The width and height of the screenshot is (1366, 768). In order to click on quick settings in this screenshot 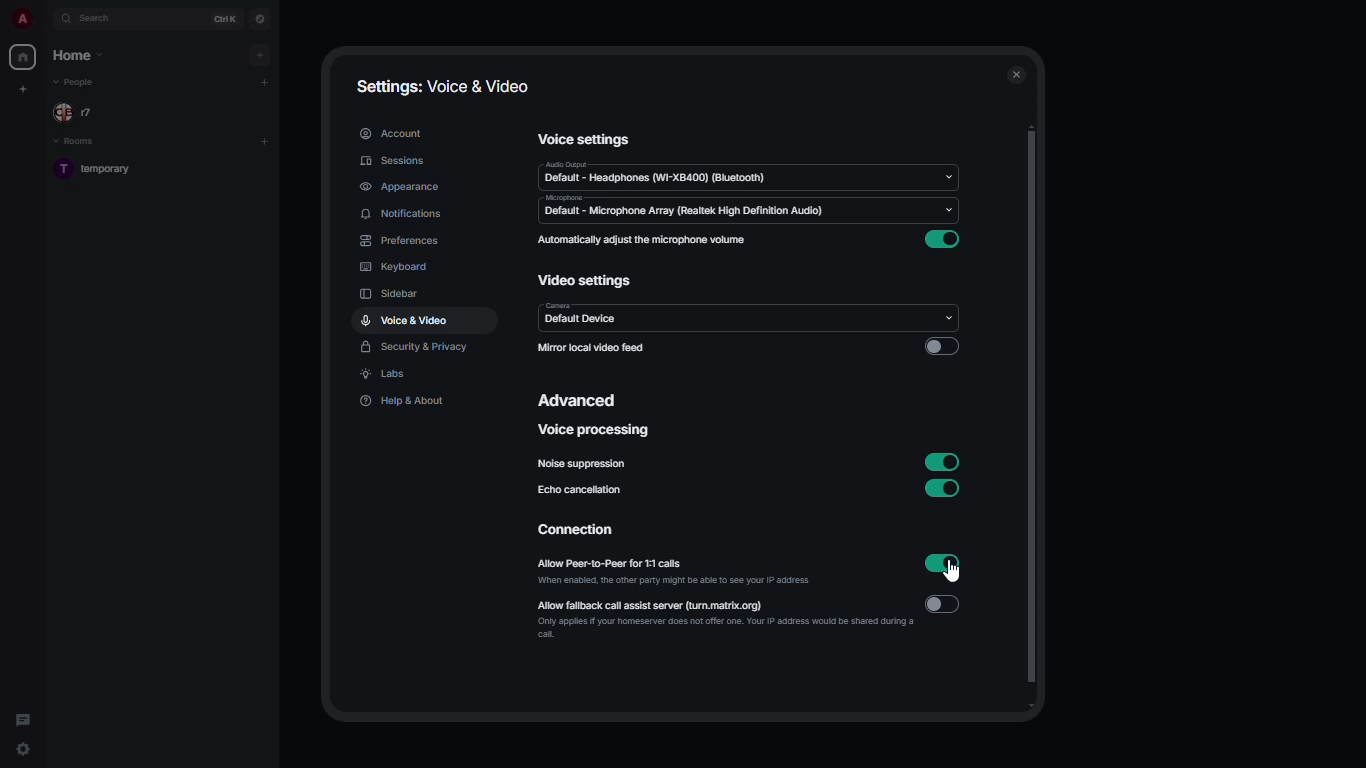, I will do `click(24, 752)`.